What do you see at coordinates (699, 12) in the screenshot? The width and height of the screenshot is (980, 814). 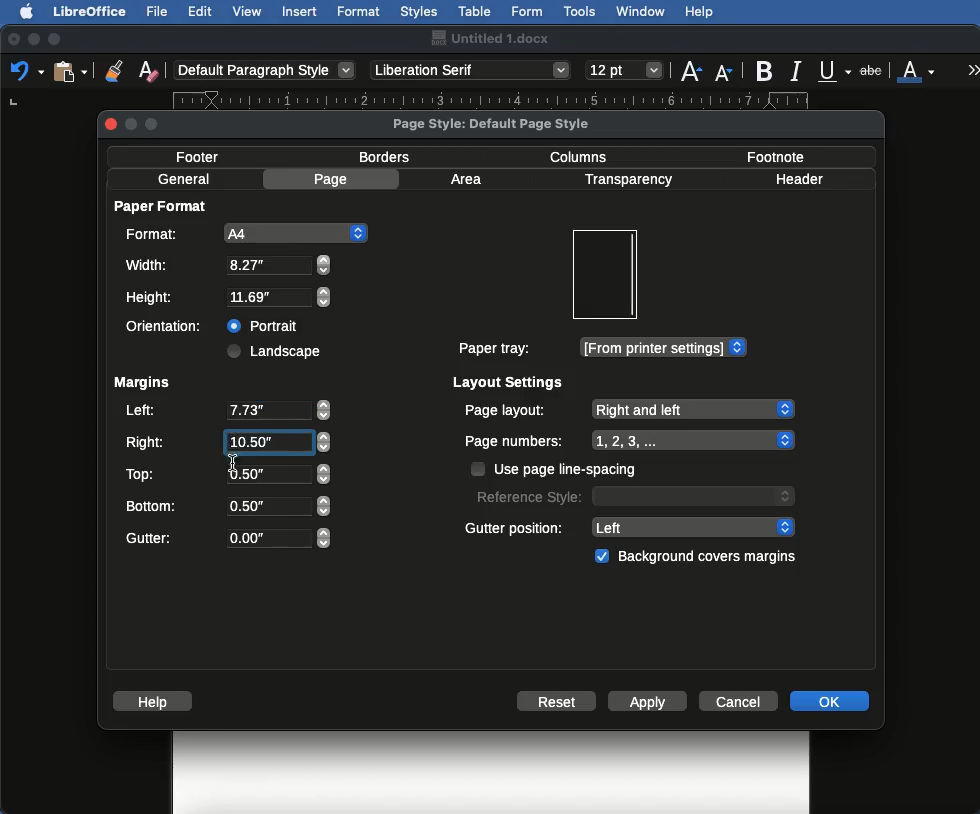 I see `Help` at bounding box center [699, 12].